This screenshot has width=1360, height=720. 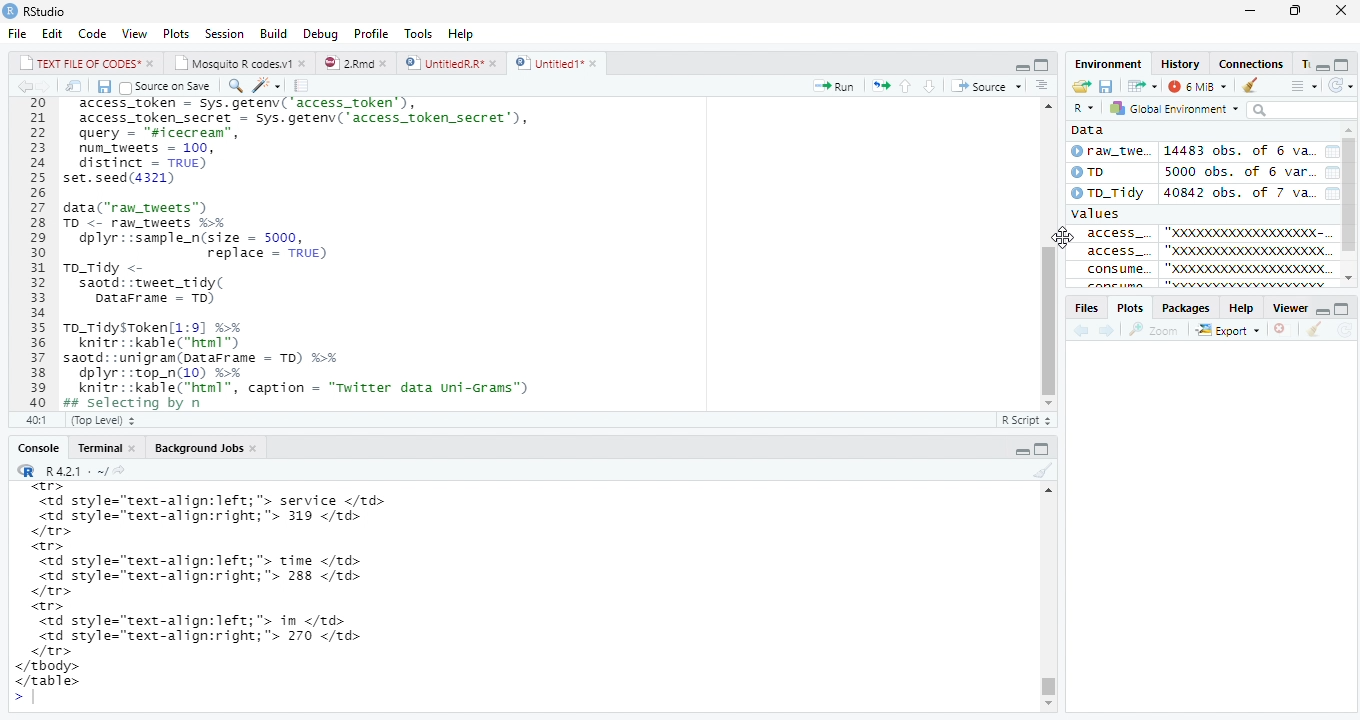 I want to click on code tools, so click(x=271, y=85).